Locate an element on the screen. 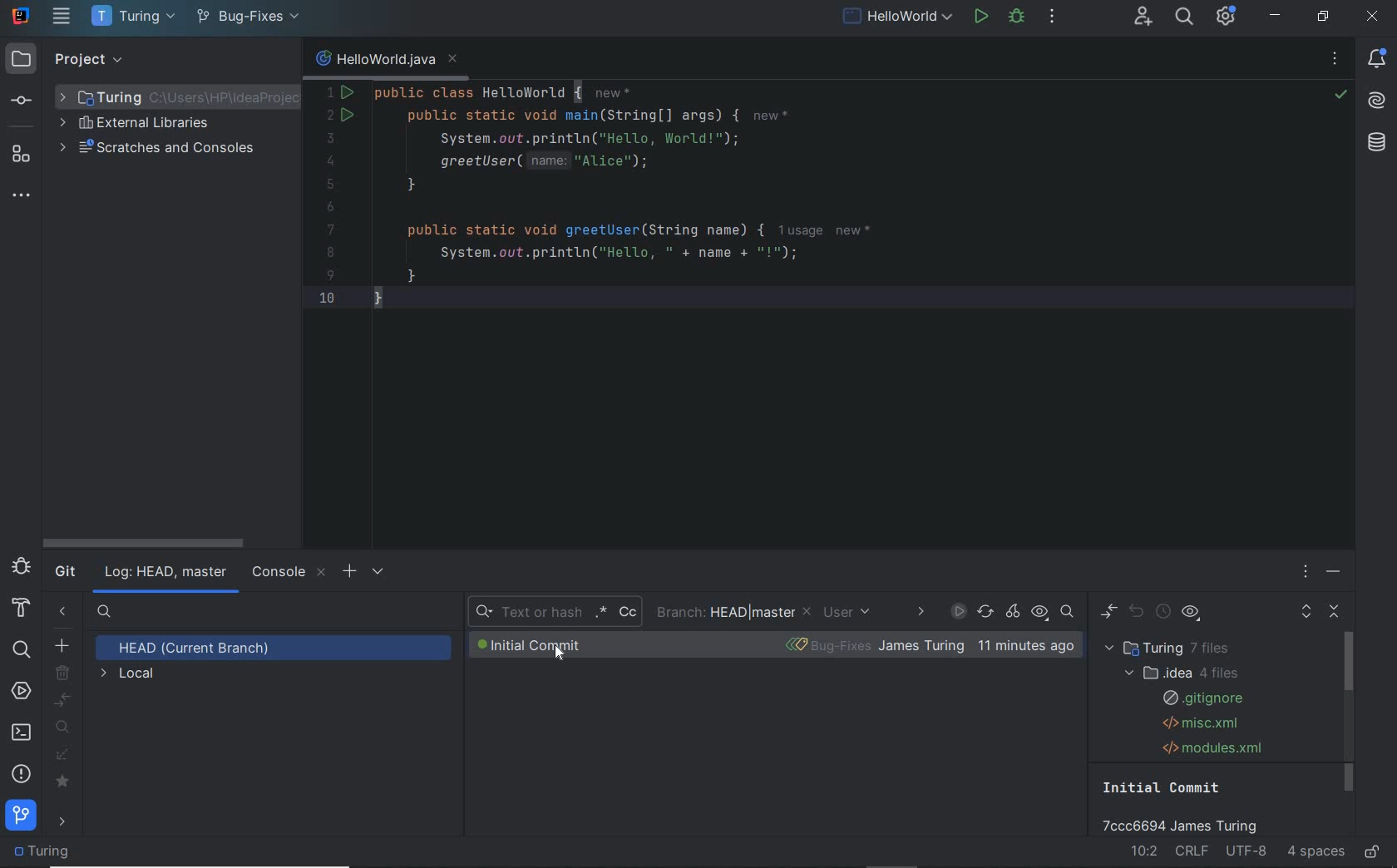 The height and width of the screenshot is (868, 1397). bug-fixes is located at coordinates (247, 18).